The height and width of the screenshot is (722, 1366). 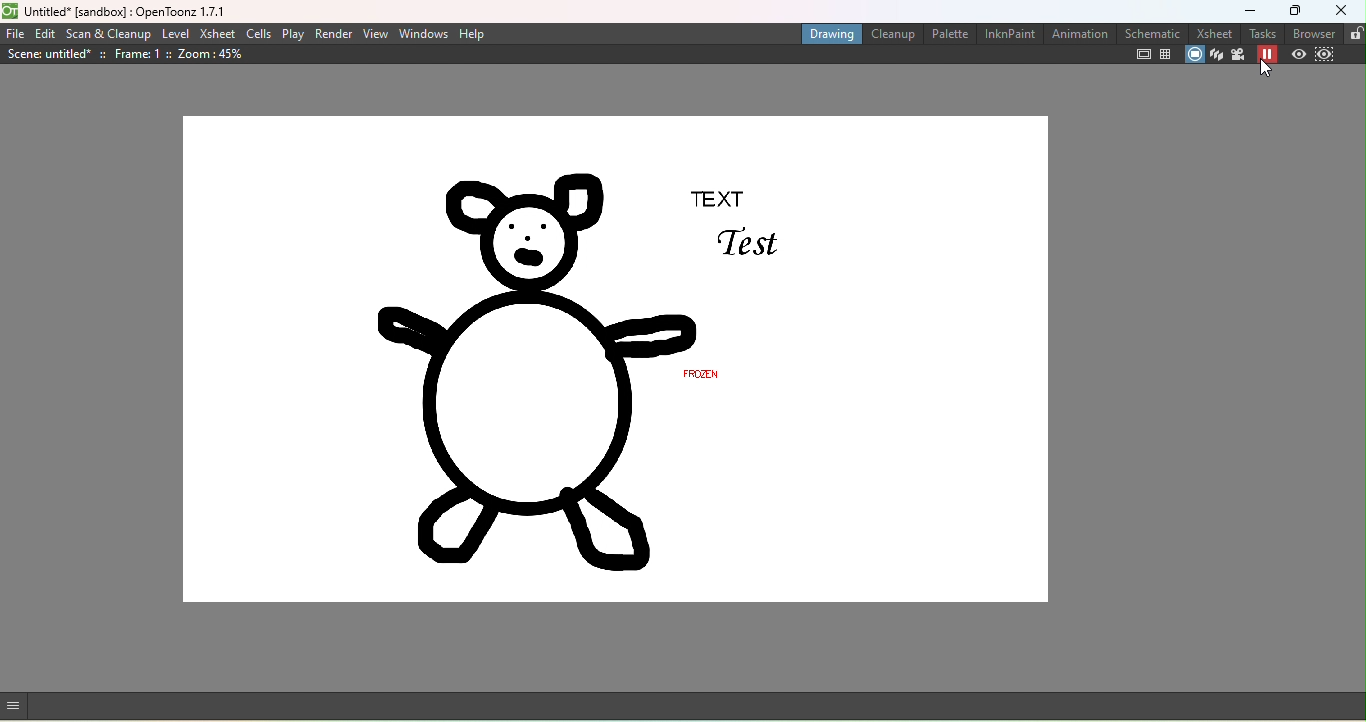 I want to click on Windows, so click(x=422, y=34).